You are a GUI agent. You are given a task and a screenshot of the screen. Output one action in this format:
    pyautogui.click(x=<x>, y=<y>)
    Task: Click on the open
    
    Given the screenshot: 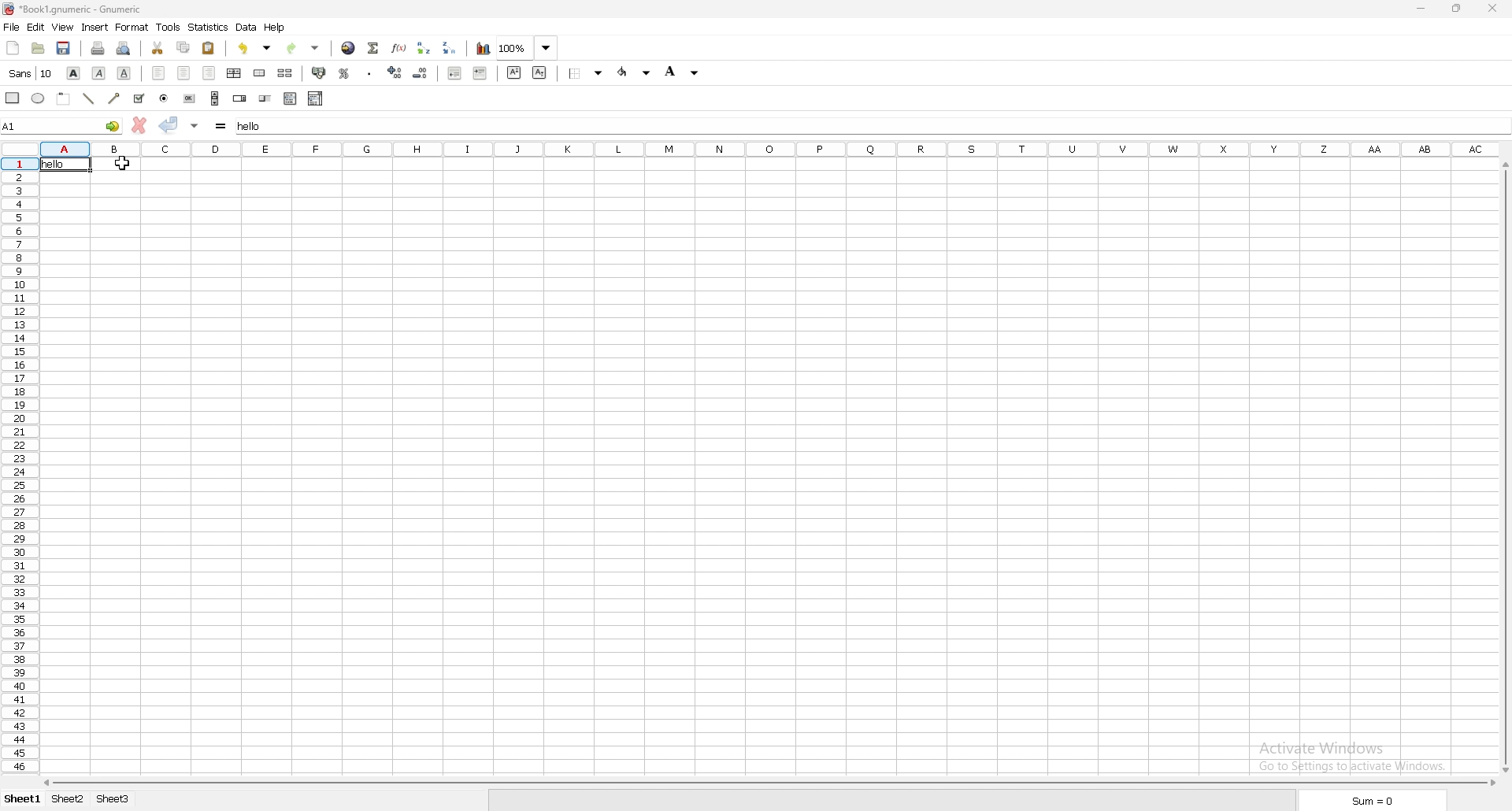 What is the action you would take?
    pyautogui.click(x=38, y=49)
    